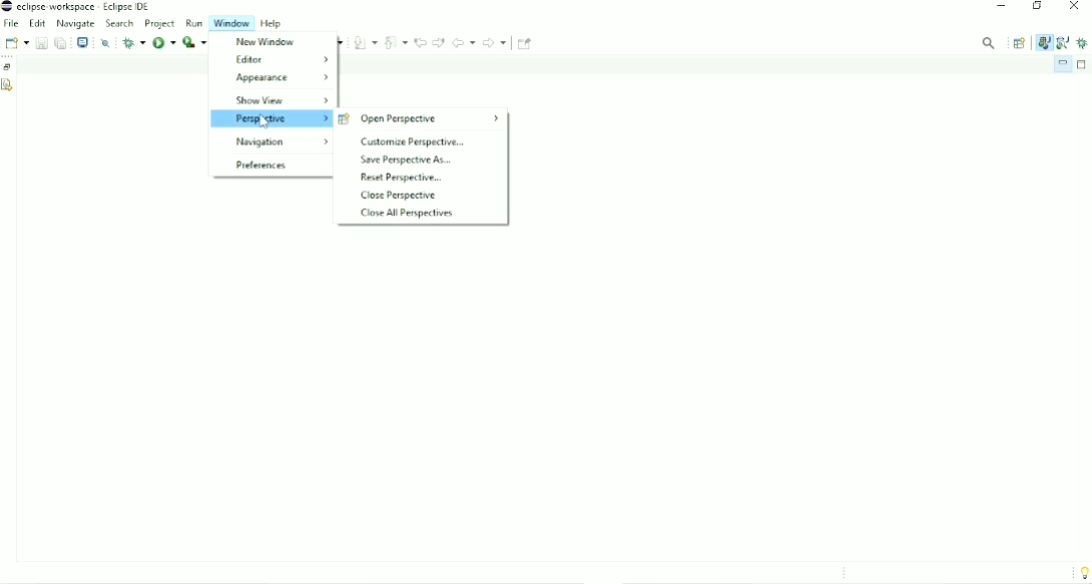 This screenshot has height=584, width=1092. Describe the element at coordinates (84, 42) in the screenshot. I see `Open a terminal` at that location.